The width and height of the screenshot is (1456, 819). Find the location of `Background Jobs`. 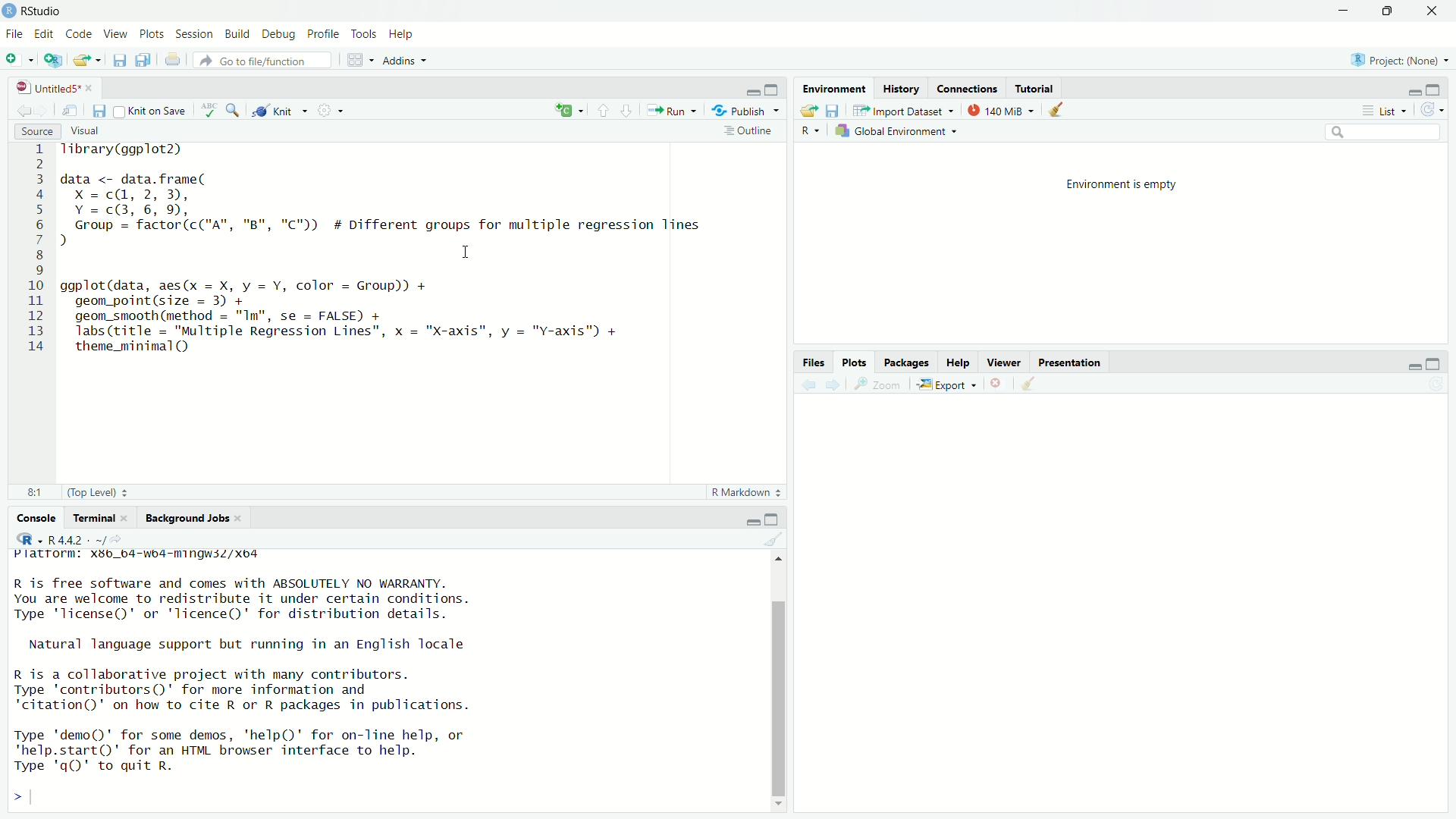

Background Jobs is located at coordinates (184, 517).